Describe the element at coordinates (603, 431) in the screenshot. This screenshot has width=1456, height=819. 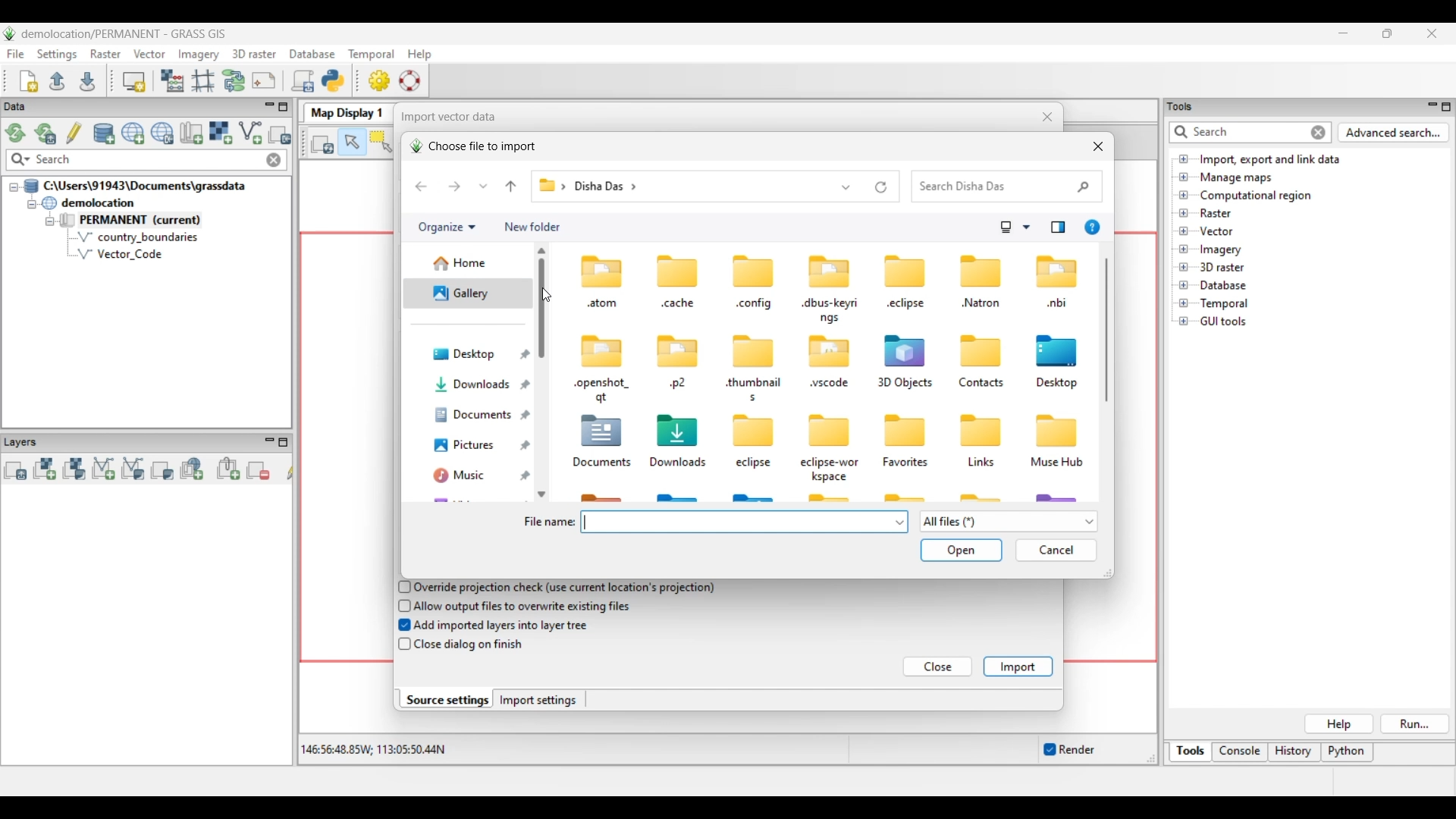
I see `icon` at that location.